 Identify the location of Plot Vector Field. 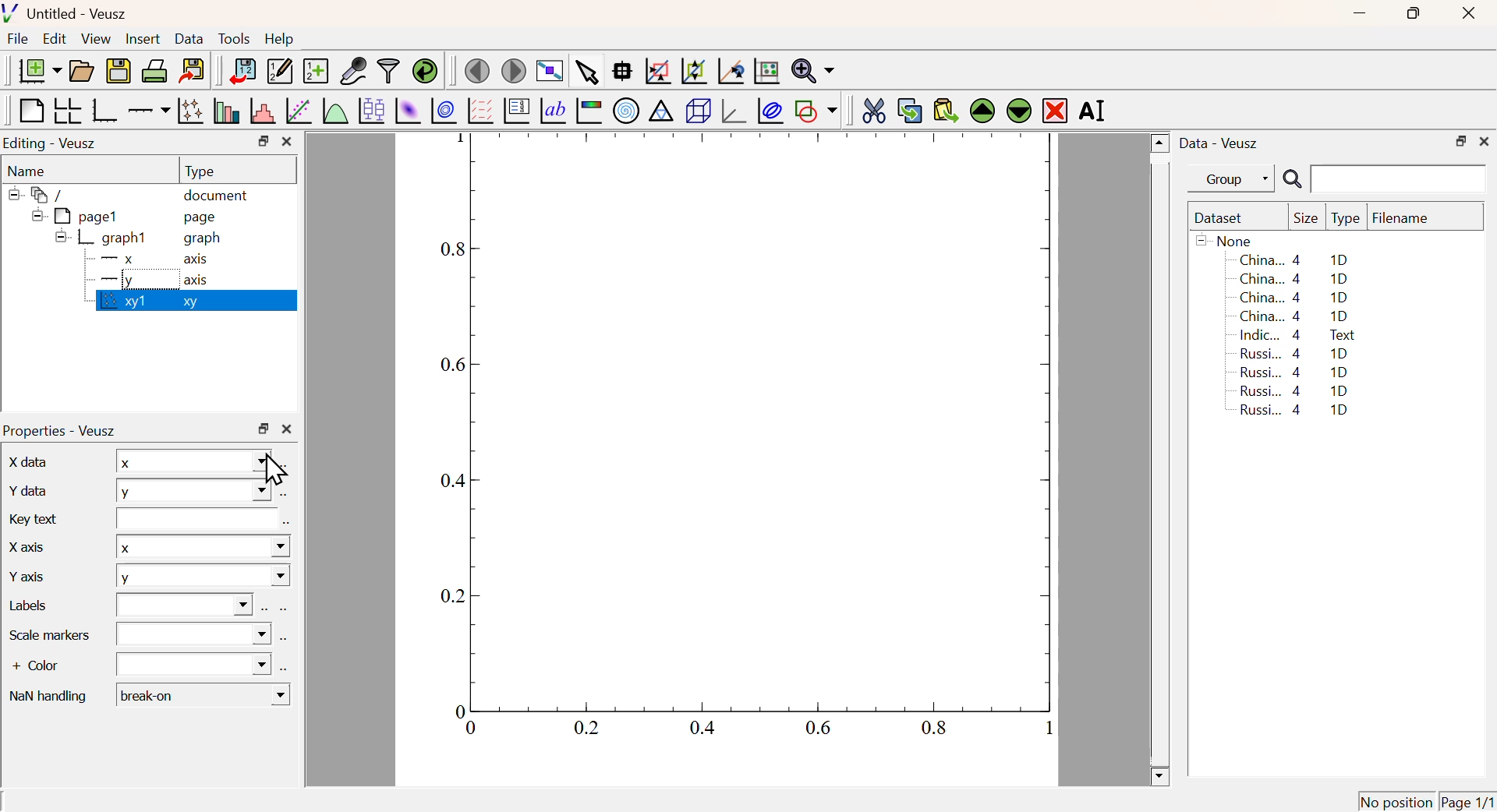
(478, 110).